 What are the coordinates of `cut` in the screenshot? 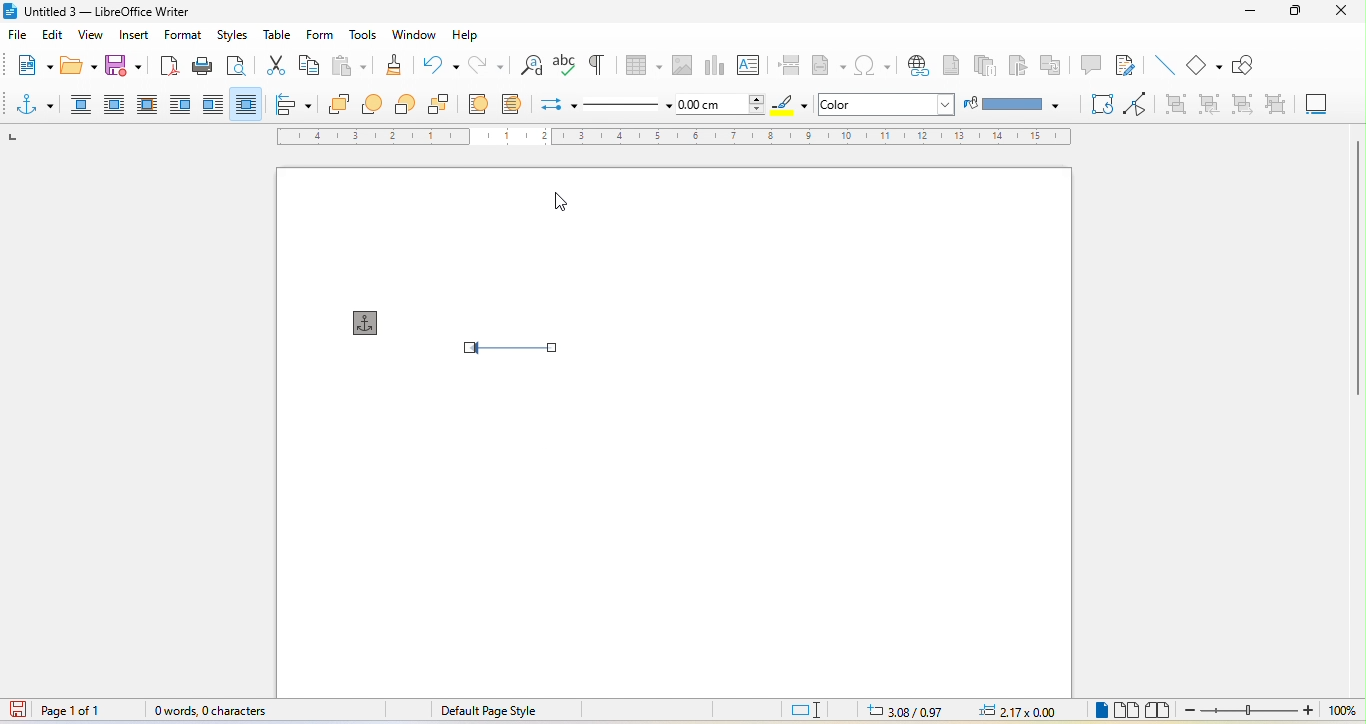 It's located at (271, 63).